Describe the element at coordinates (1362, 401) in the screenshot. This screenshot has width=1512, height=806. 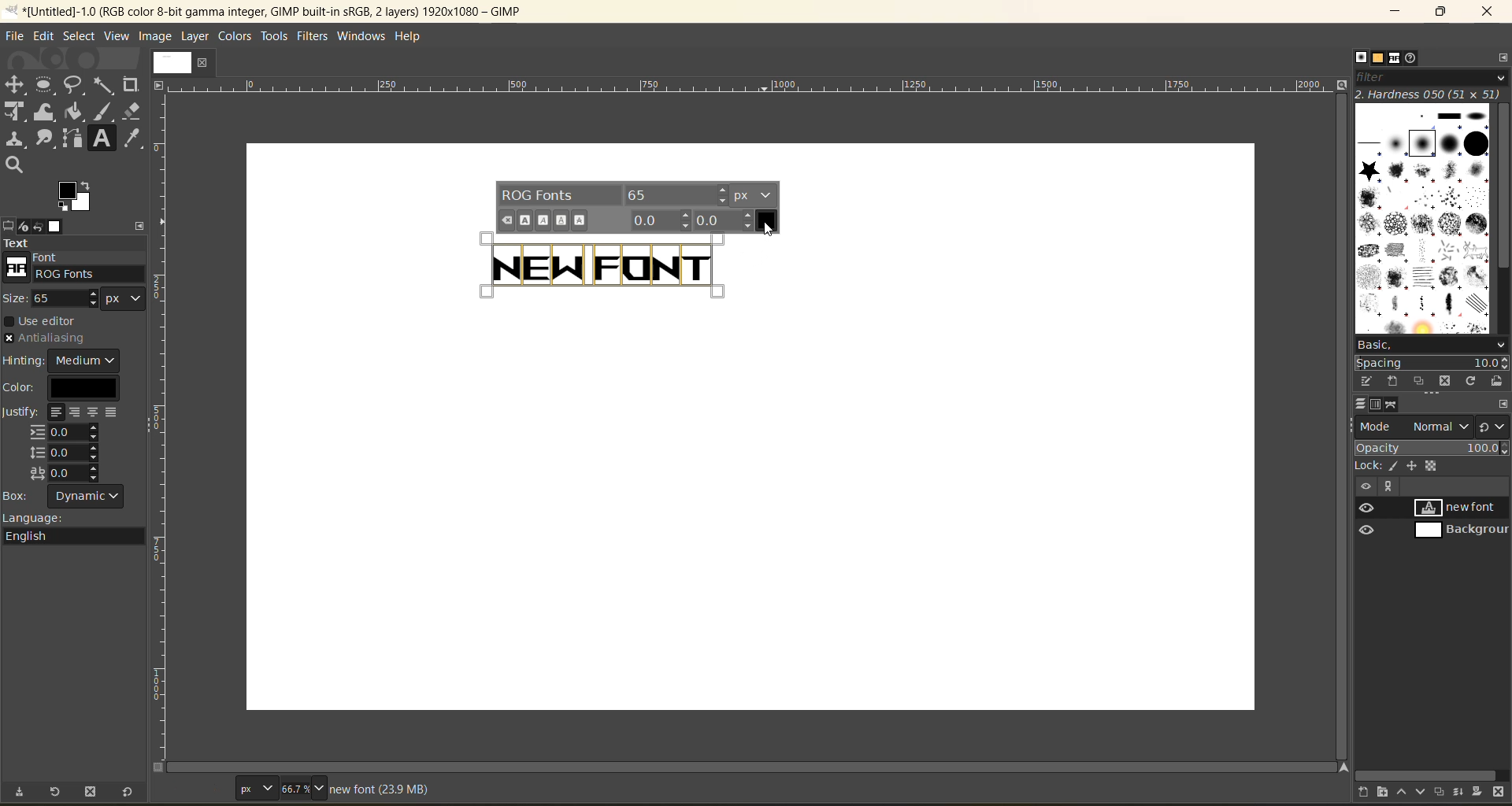
I see `layers` at that location.